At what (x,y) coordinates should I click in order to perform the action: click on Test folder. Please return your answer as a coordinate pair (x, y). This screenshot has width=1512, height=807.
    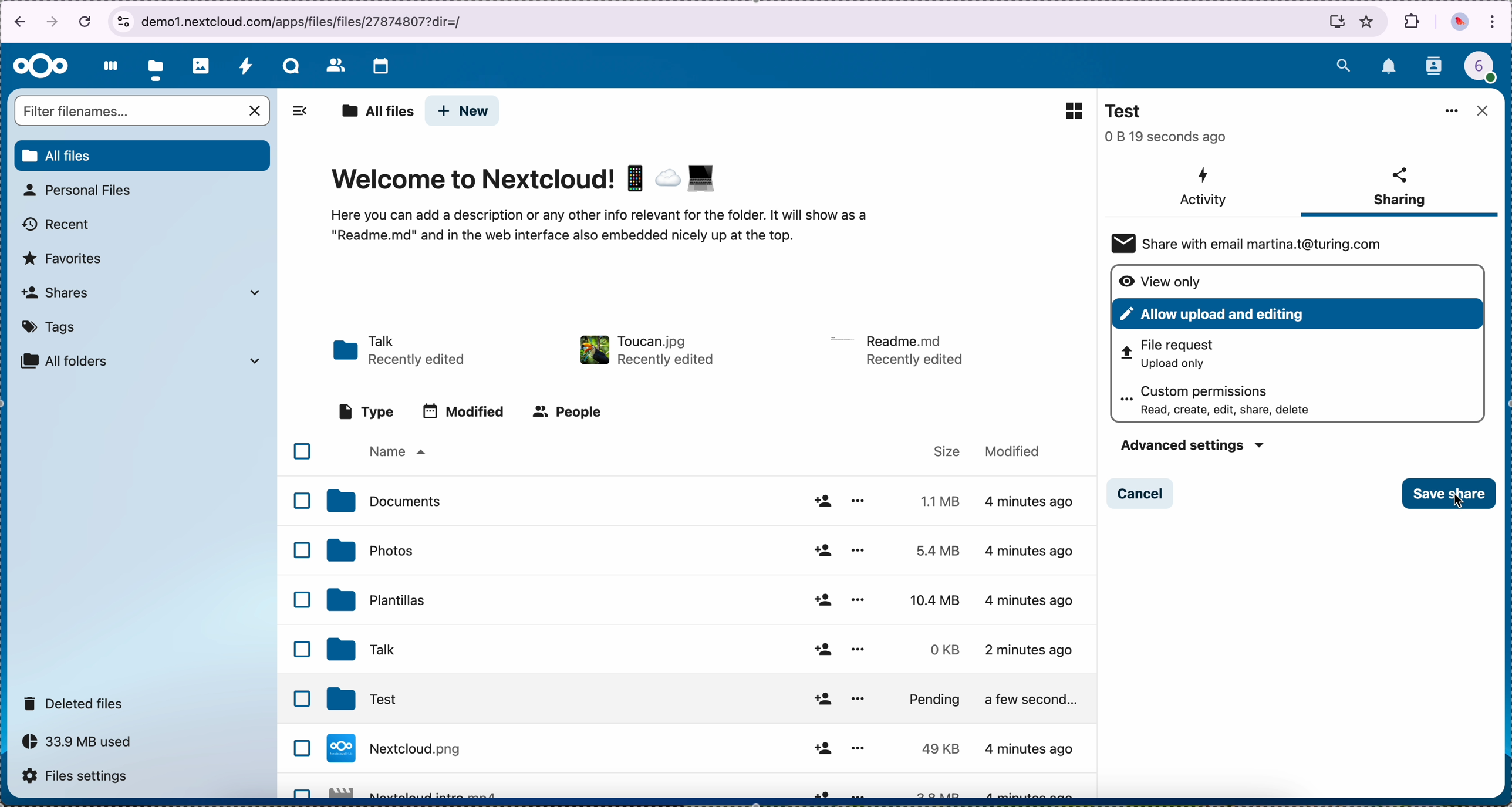
    Looking at the image, I should click on (713, 700).